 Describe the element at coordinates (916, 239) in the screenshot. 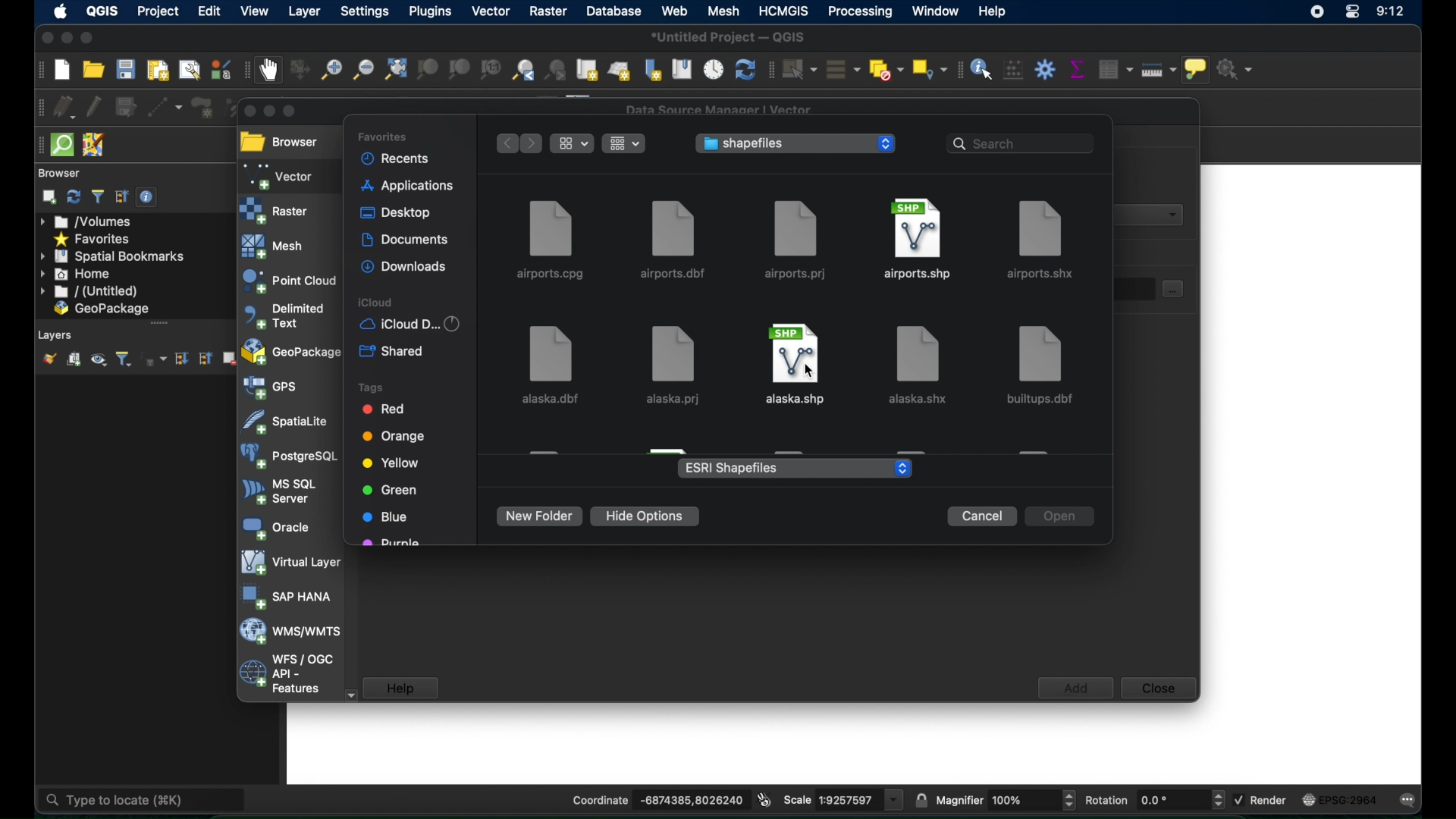

I see `airports.shp` at that location.